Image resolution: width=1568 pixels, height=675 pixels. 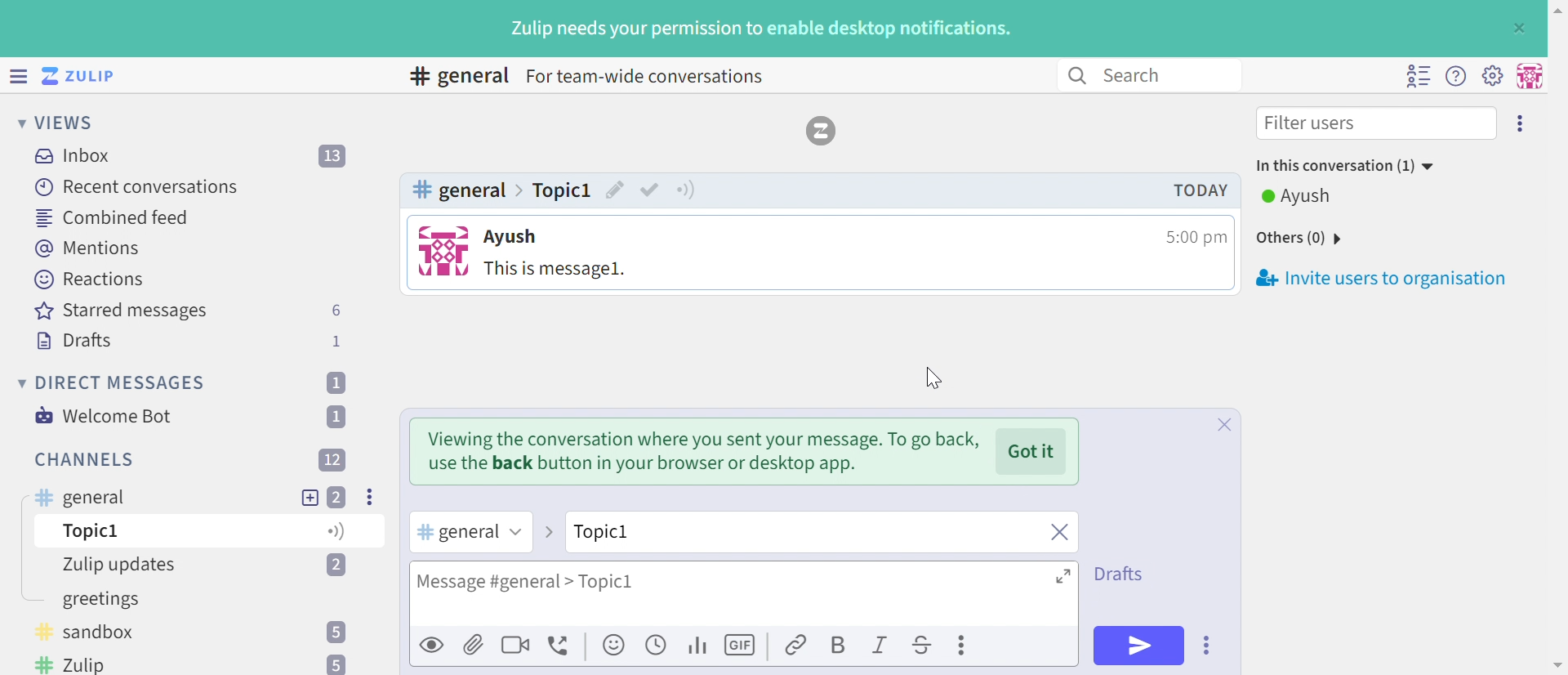 What do you see at coordinates (762, 30) in the screenshot?
I see `Zulip needs your permission to enable desktop notifications.` at bounding box center [762, 30].